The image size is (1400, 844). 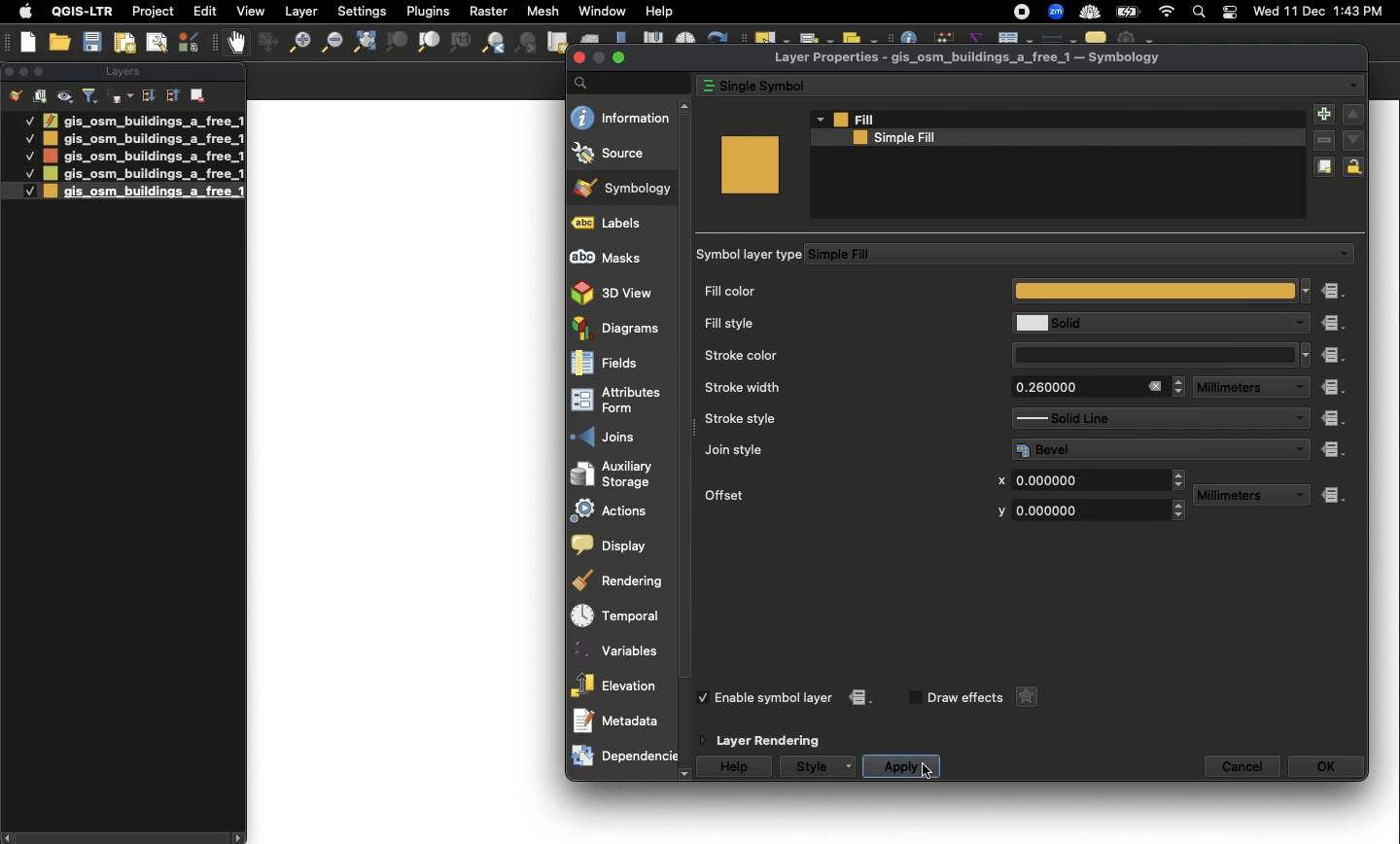 What do you see at coordinates (1302, 448) in the screenshot?
I see `Drop down` at bounding box center [1302, 448].